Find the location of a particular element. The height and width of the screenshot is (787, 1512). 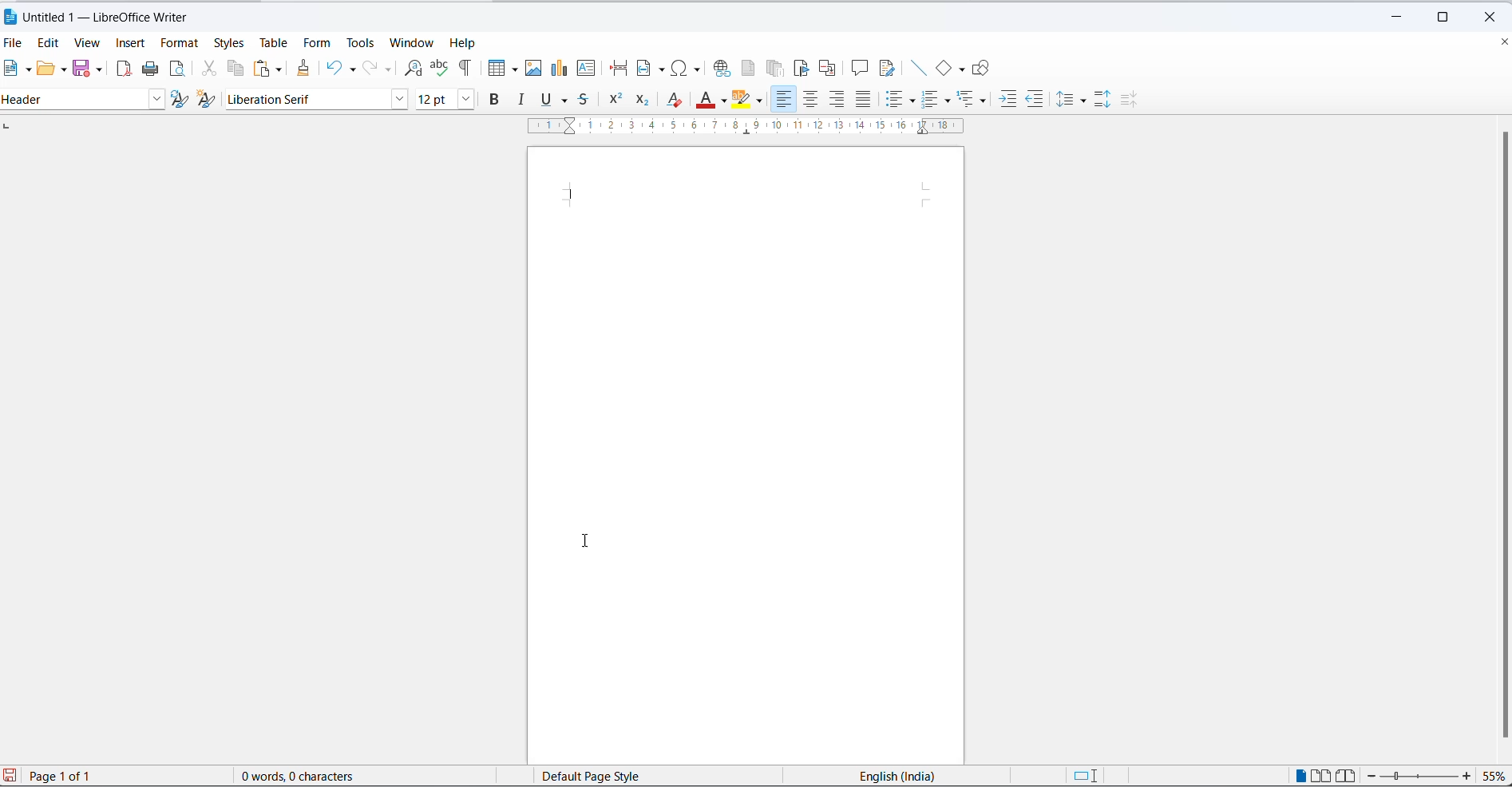

single page view is located at coordinates (1300, 776).